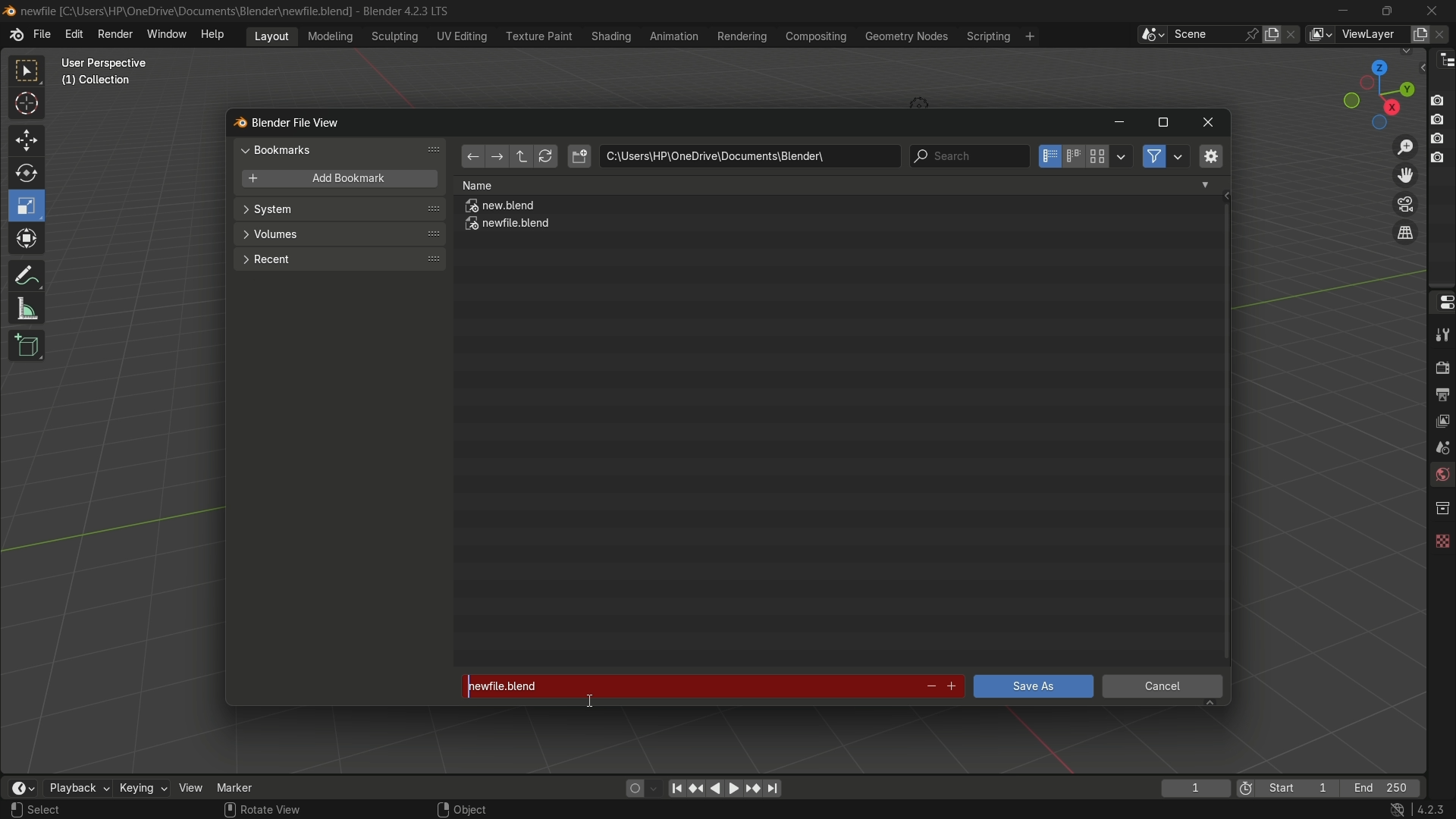 The height and width of the screenshot is (819, 1456). What do you see at coordinates (271, 35) in the screenshot?
I see `layout menu` at bounding box center [271, 35].